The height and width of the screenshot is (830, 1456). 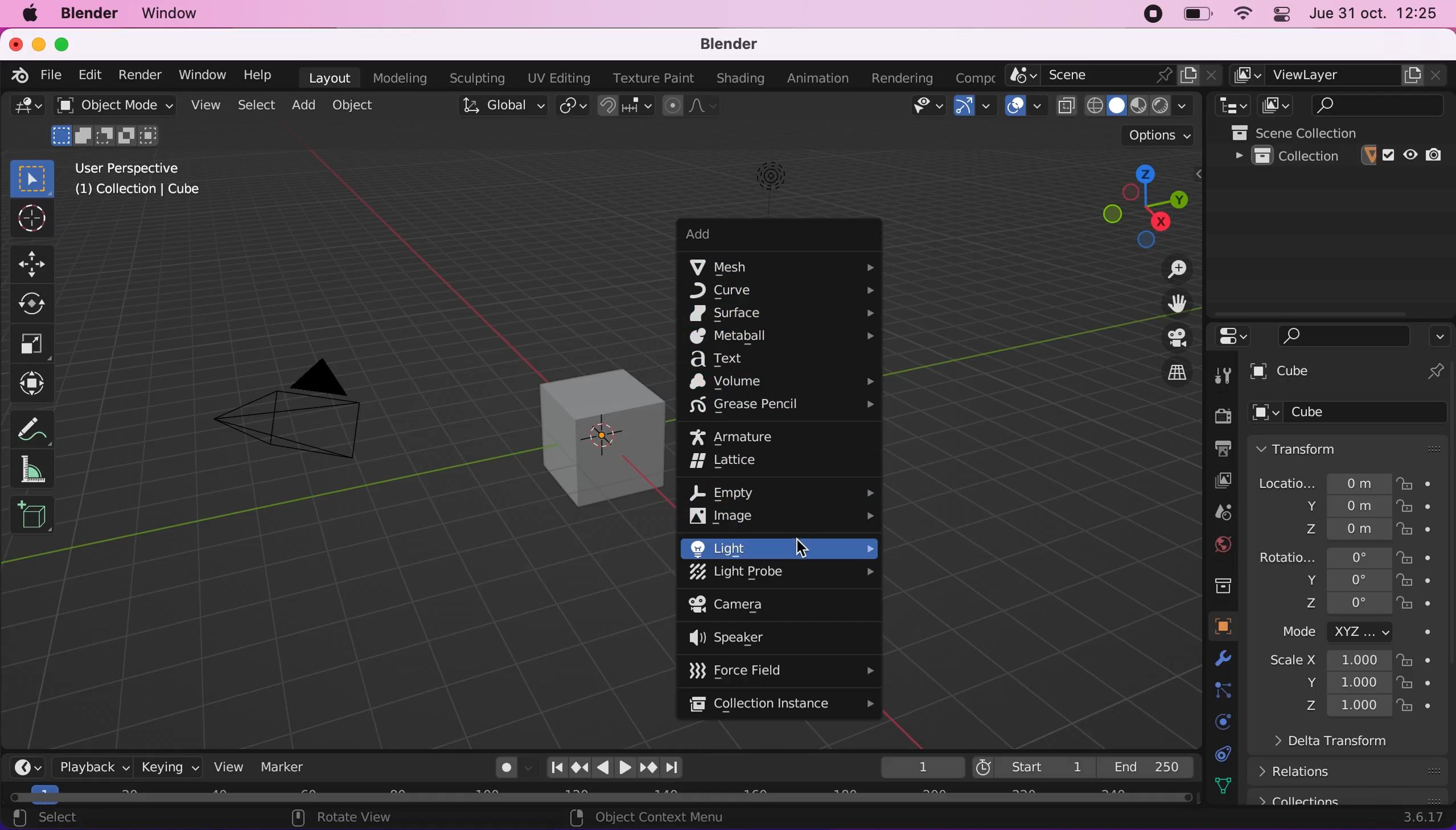 I want to click on force field, so click(x=779, y=669).